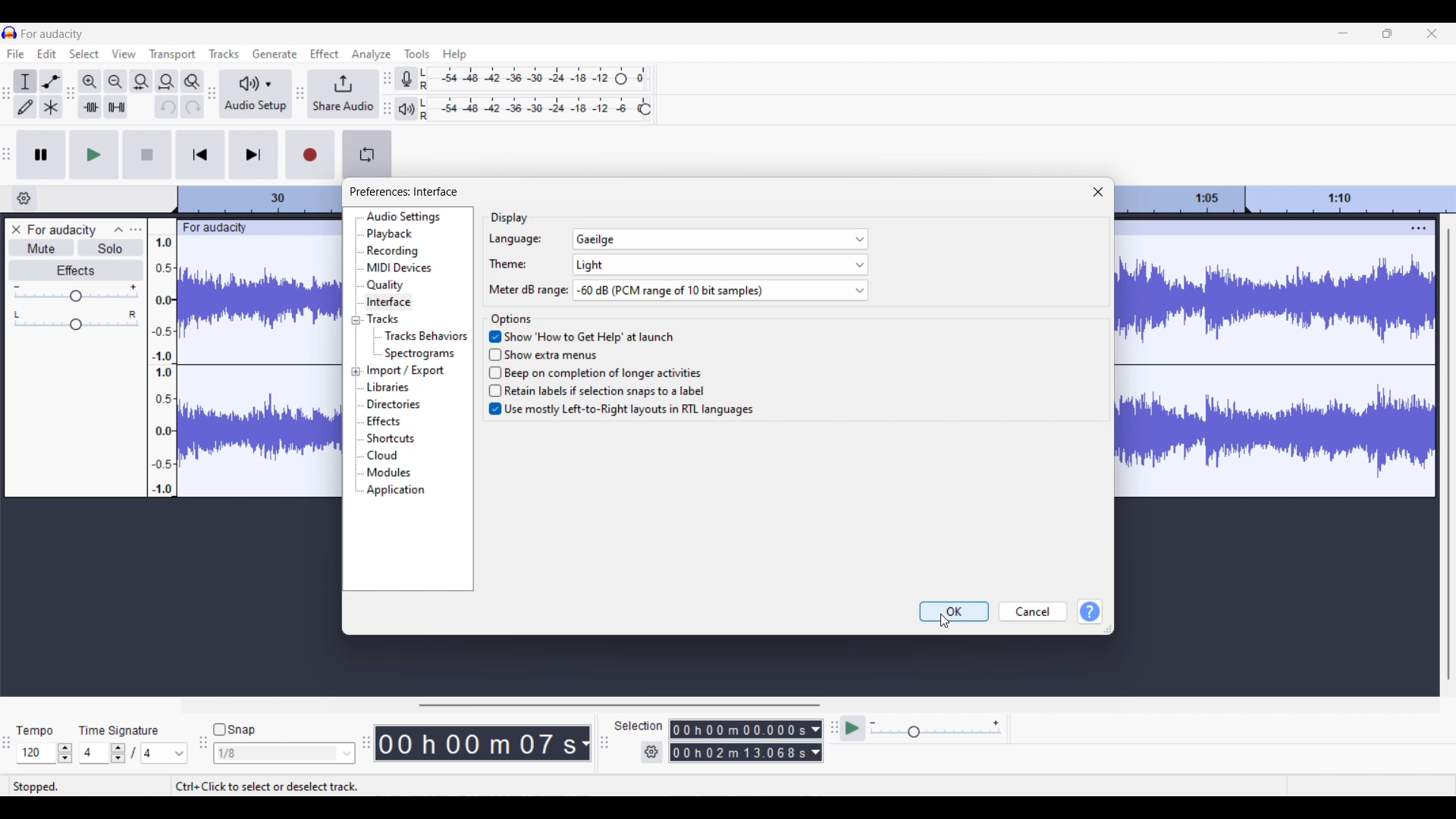 The width and height of the screenshot is (1456, 819). What do you see at coordinates (35, 732) in the screenshot?
I see `tempo` at bounding box center [35, 732].